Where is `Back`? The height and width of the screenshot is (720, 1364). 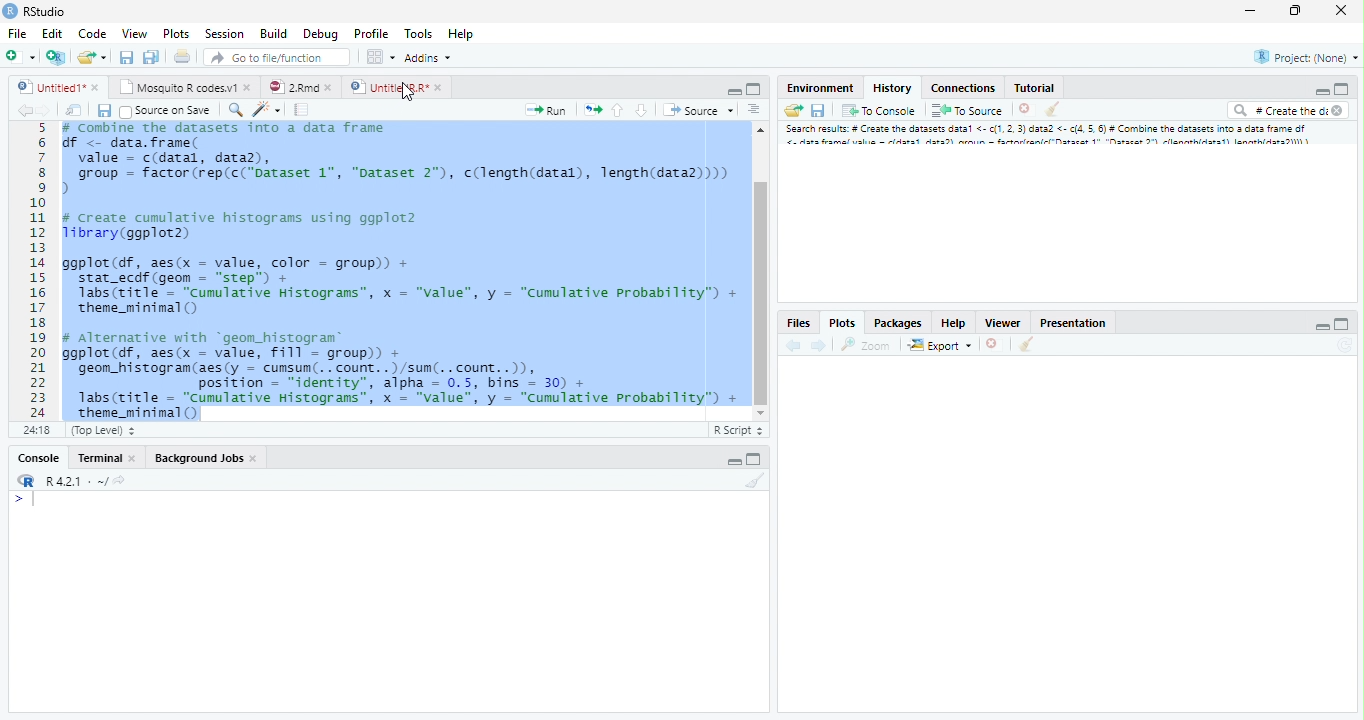
Back is located at coordinates (17, 113).